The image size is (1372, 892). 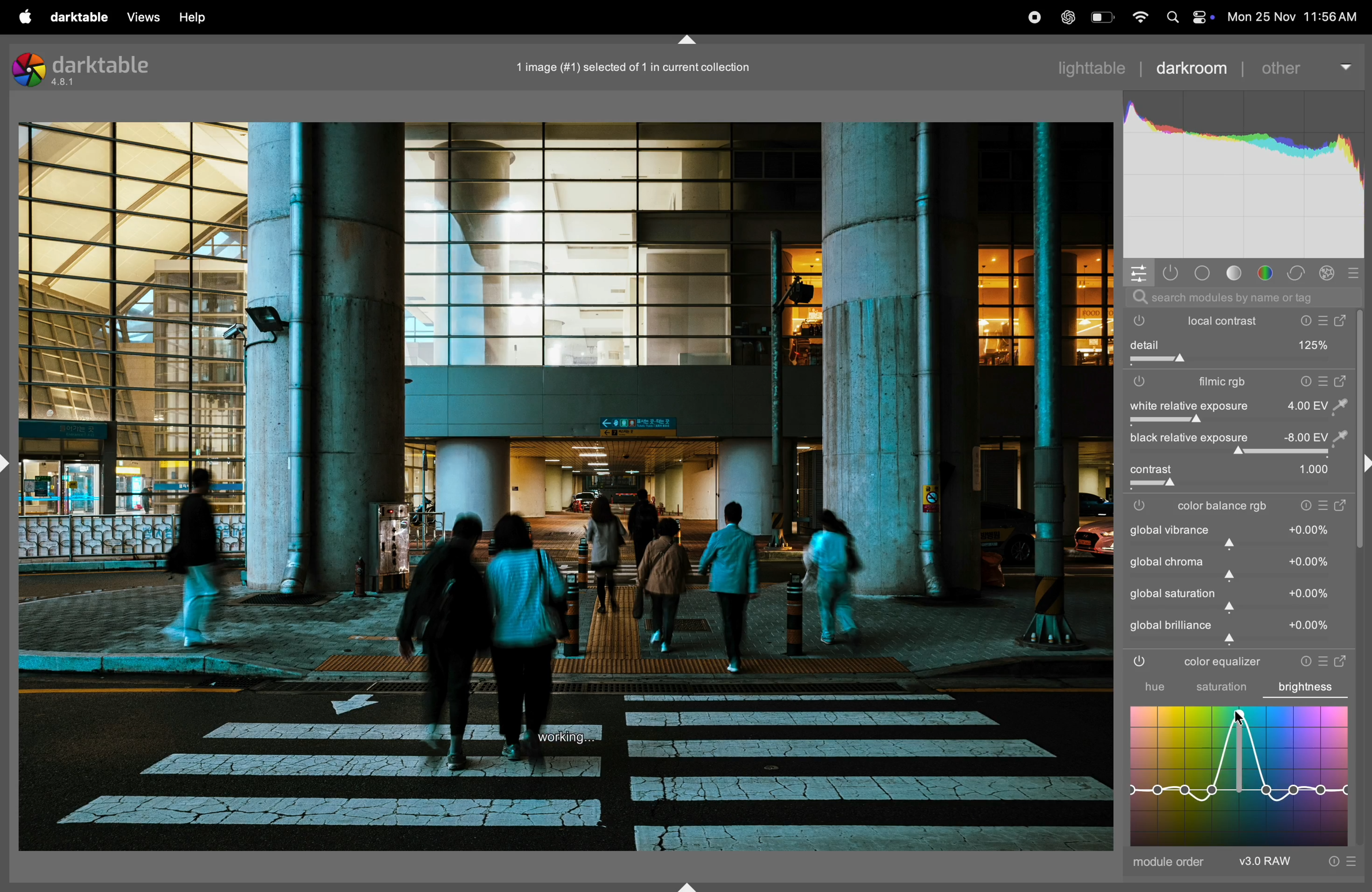 I want to click on presets, so click(x=1325, y=659).